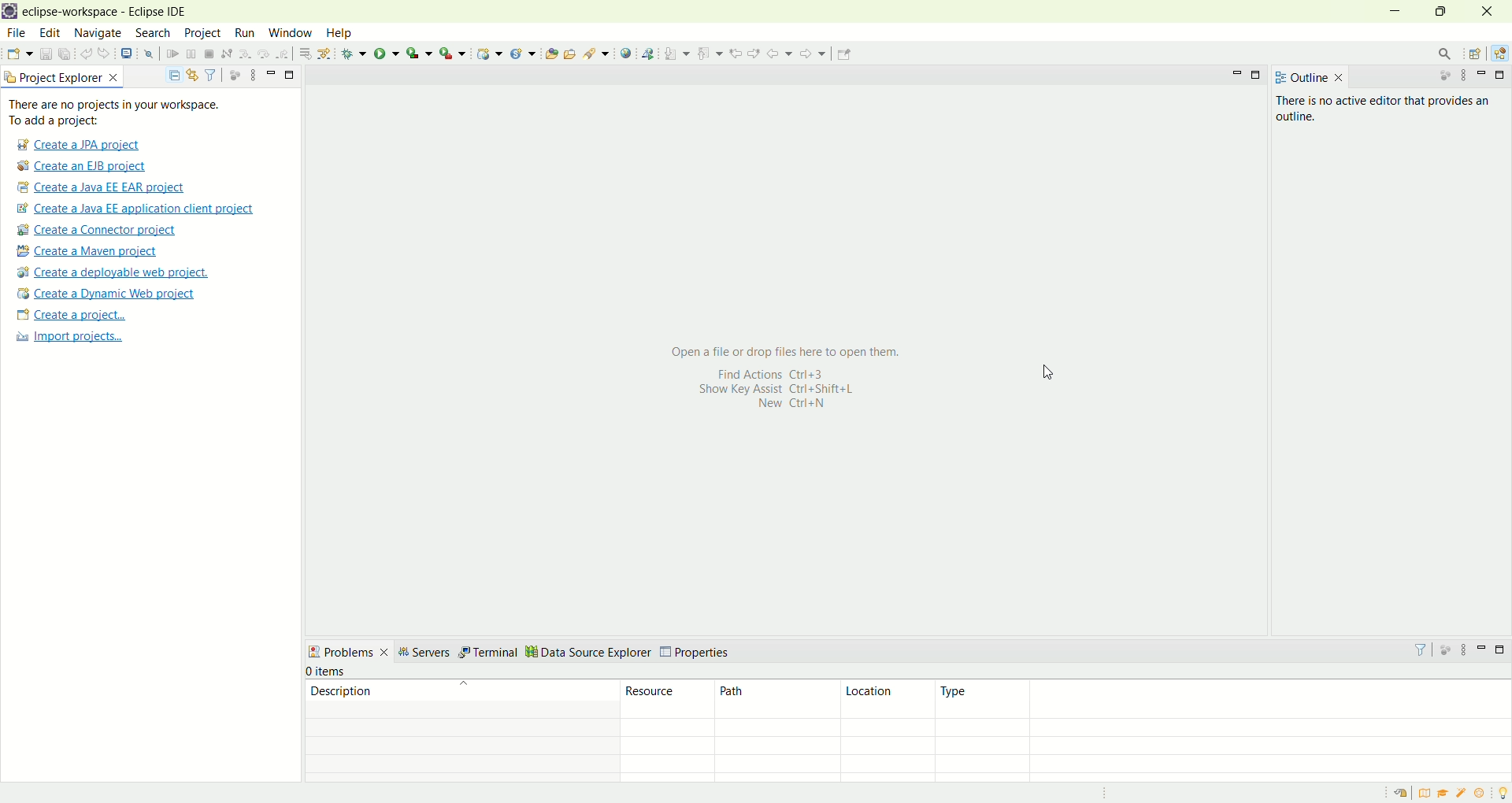 The height and width of the screenshot is (803, 1512). What do you see at coordinates (289, 31) in the screenshot?
I see `window` at bounding box center [289, 31].